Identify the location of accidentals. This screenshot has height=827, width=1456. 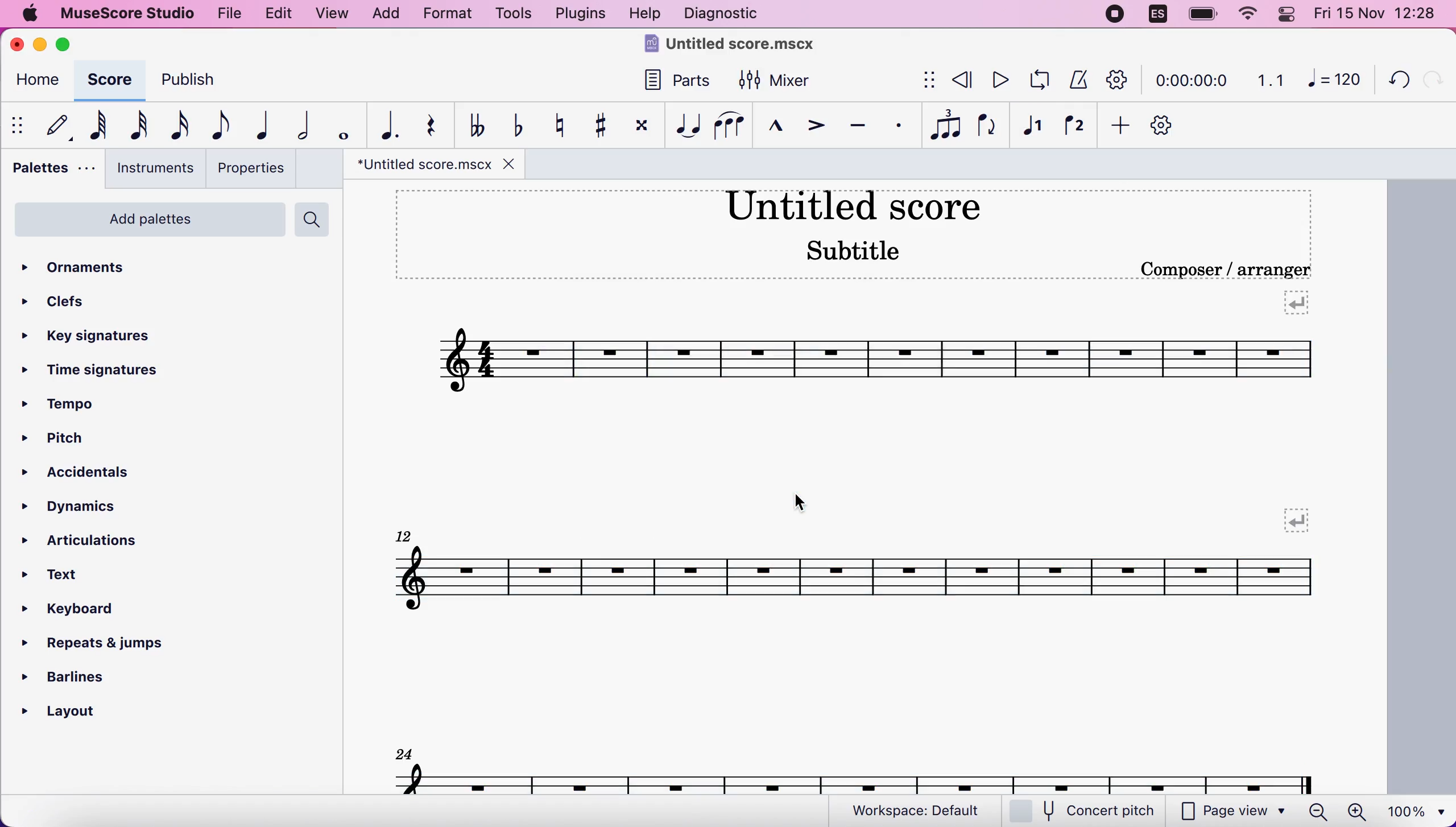
(105, 474).